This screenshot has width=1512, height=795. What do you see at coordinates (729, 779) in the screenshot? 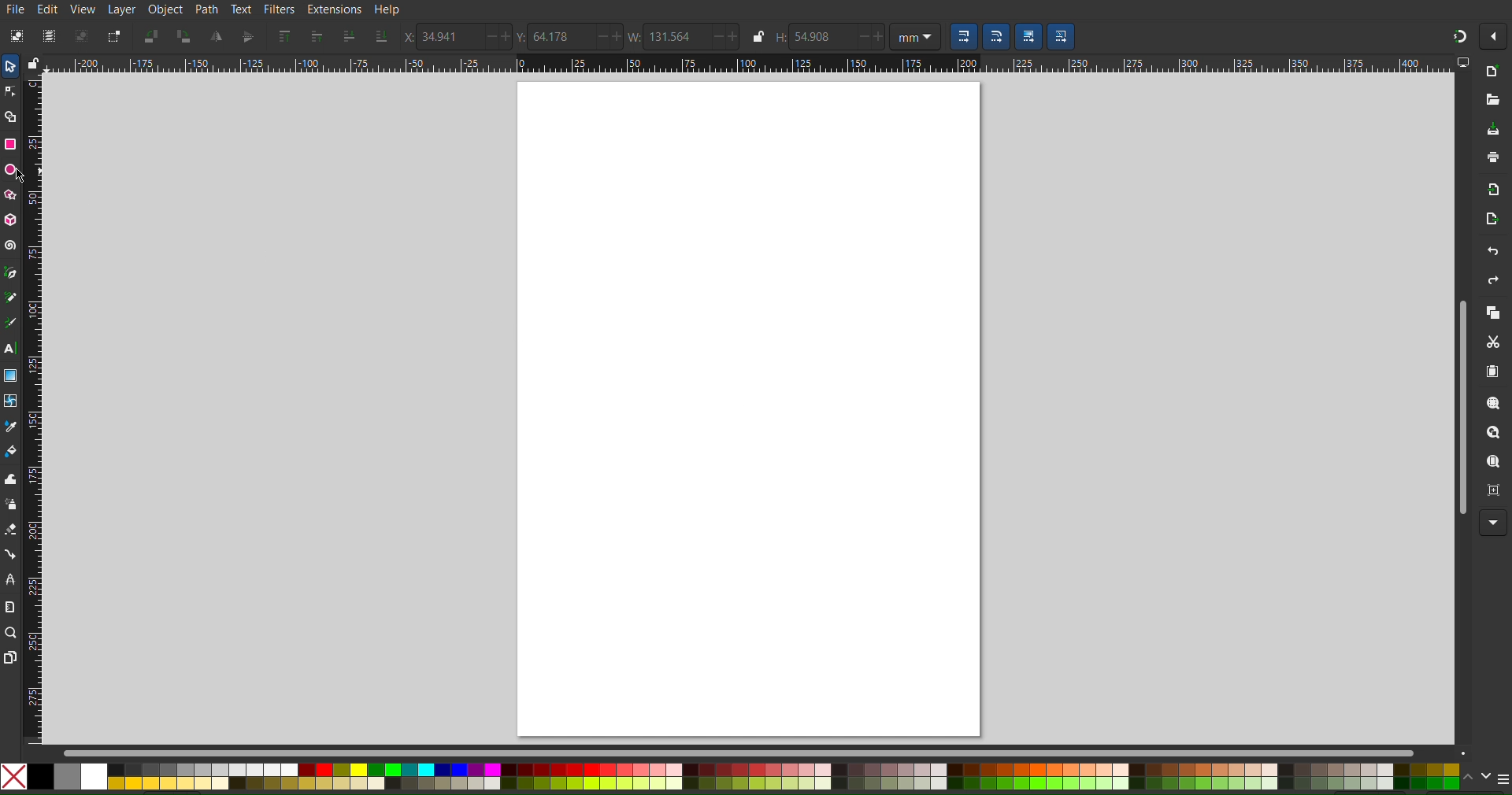
I see `` at bounding box center [729, 779].